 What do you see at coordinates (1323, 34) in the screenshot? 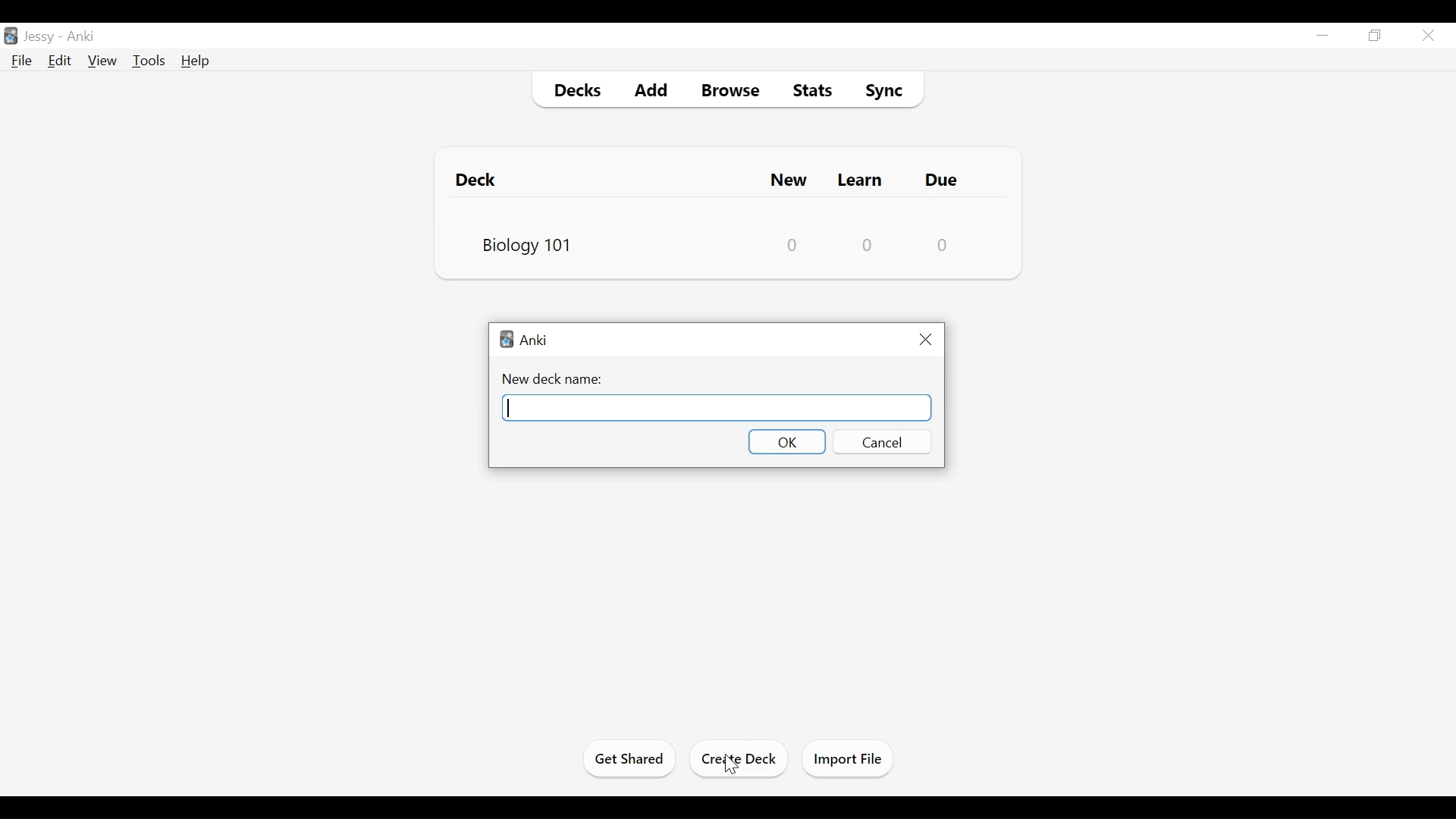
I see `minimize` at bounding box center [1323, 34].